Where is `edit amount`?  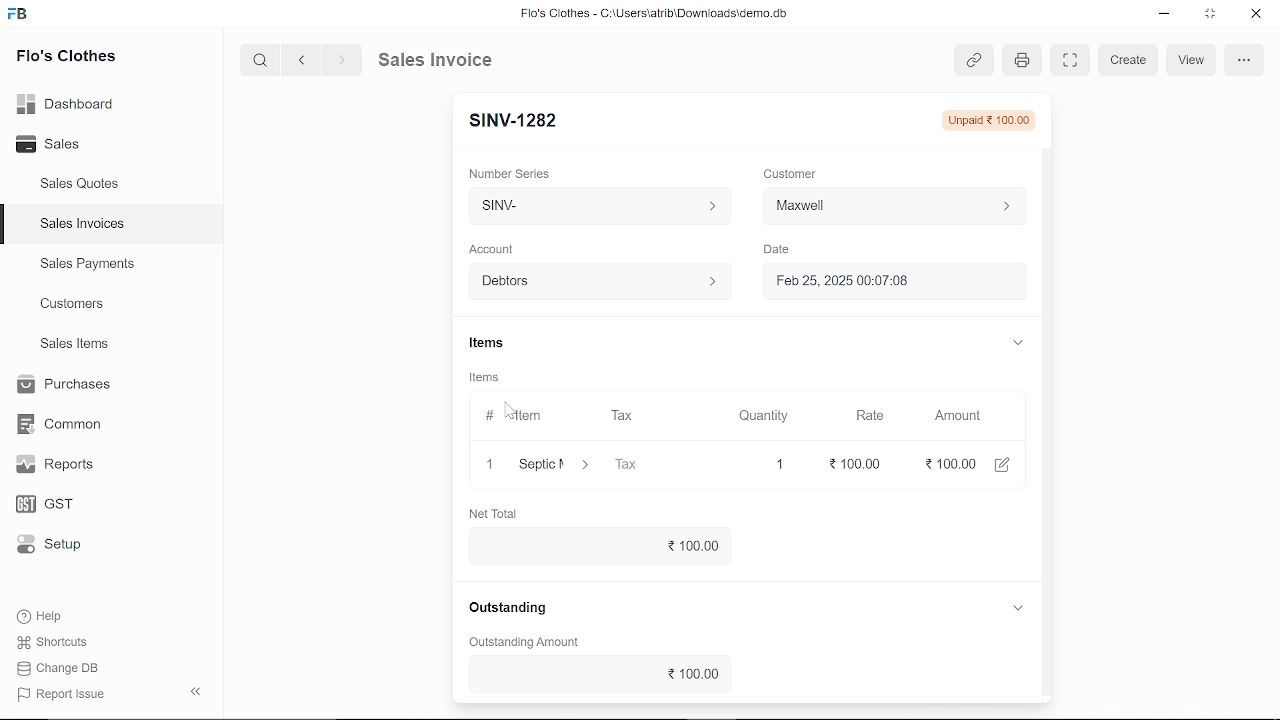
edit amount is located at coordinates (1003, 463).